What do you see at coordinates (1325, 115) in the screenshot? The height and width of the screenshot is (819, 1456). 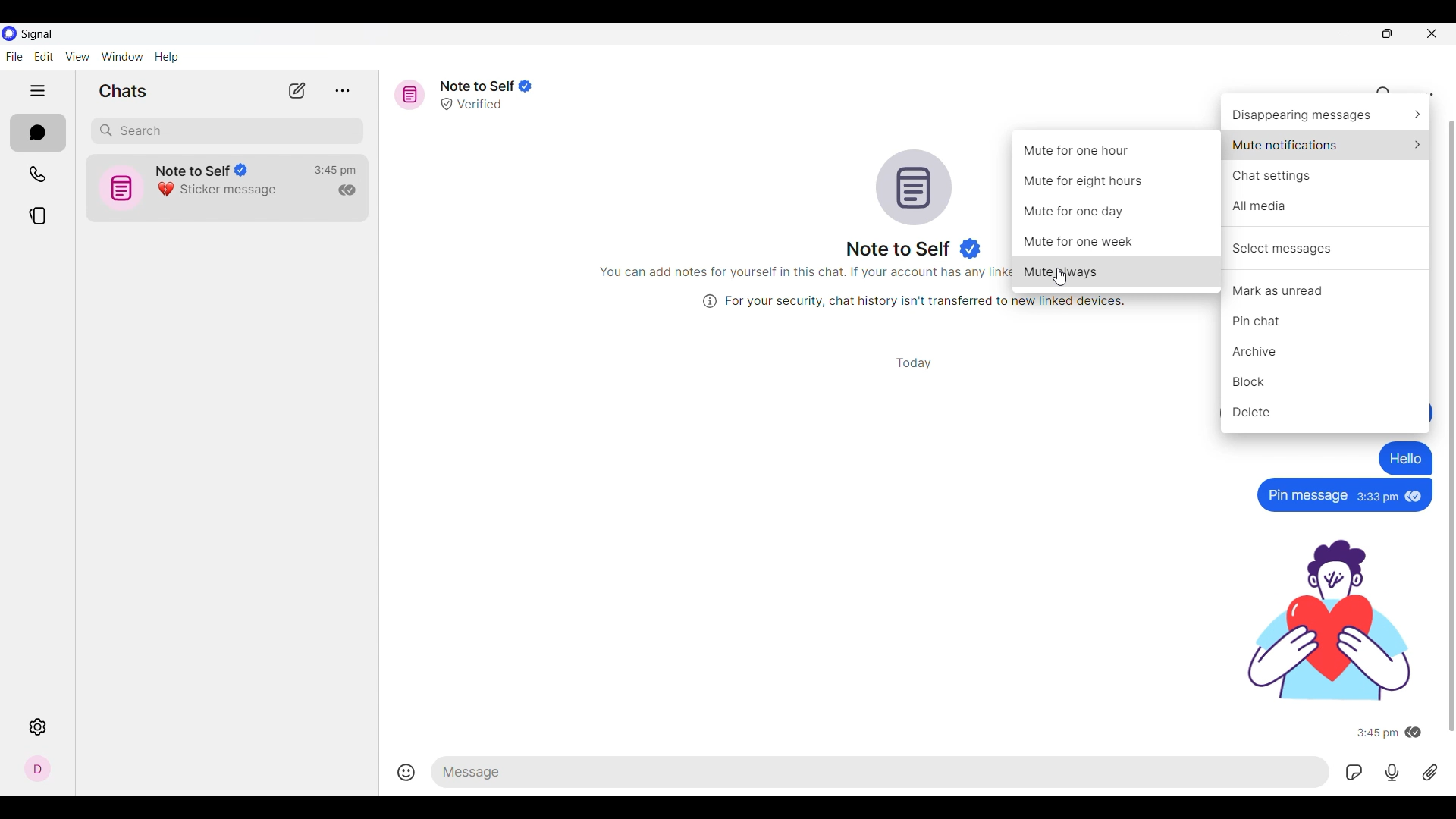 I see `Disappearing message options` at bounding box center [1325, 115].